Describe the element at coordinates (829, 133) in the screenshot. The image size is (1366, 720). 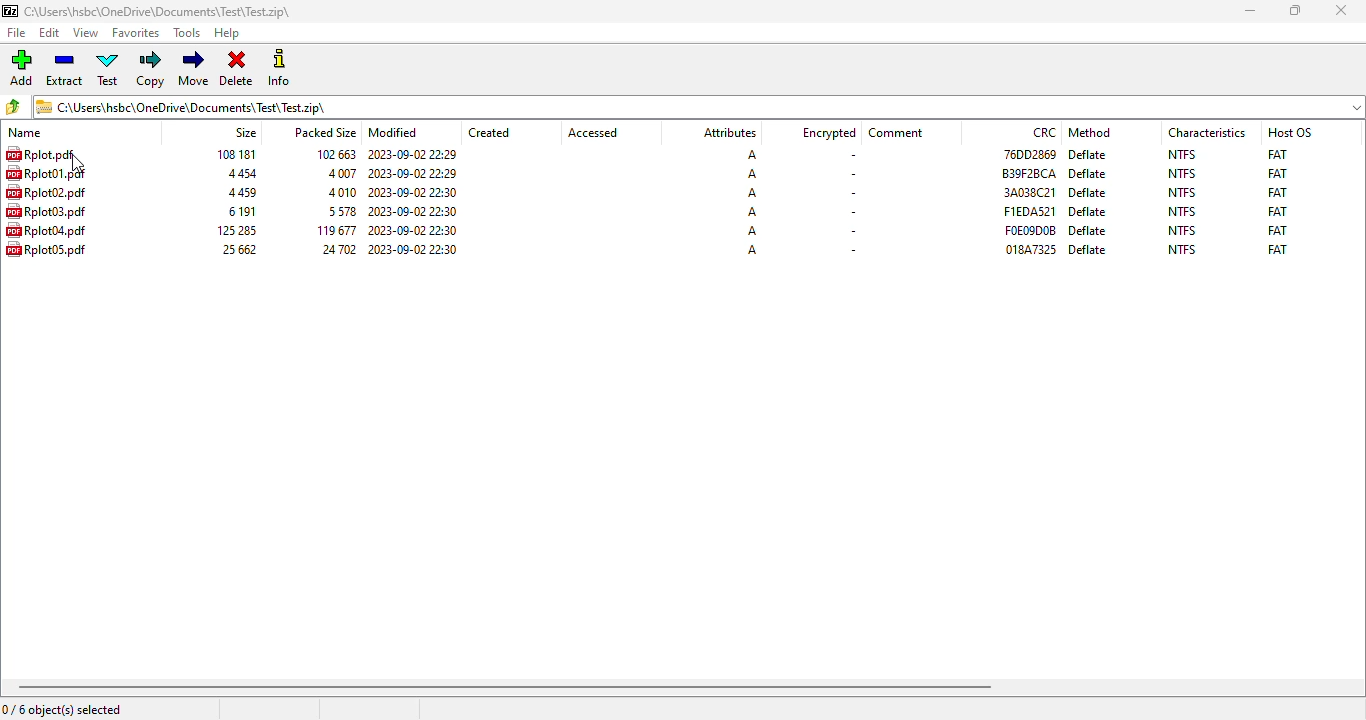
I see `encrypted` at that location.